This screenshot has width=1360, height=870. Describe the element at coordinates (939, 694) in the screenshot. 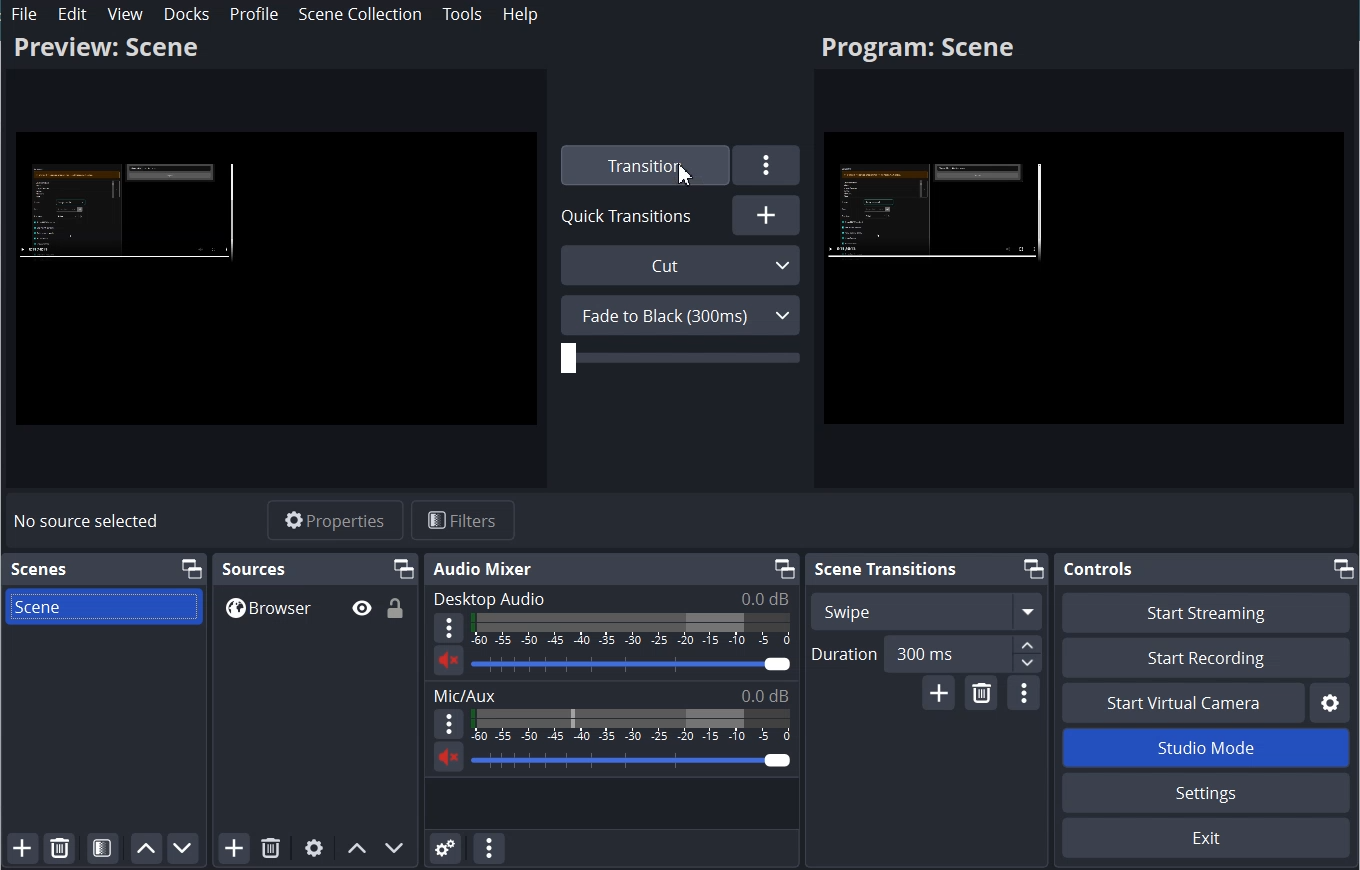

I see `Add Configurable Transition` at that location.